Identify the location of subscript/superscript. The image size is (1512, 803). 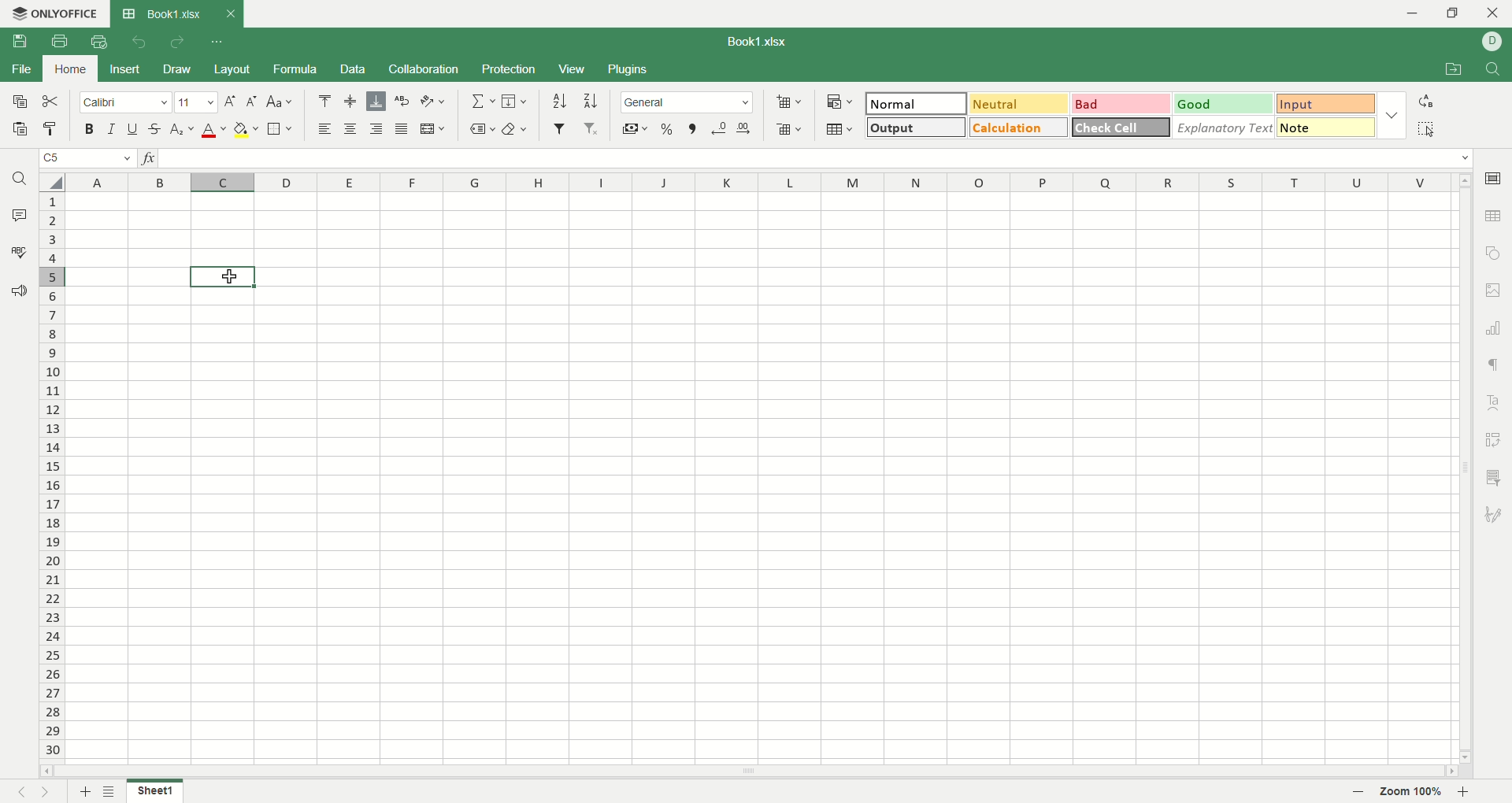
(182, 130).